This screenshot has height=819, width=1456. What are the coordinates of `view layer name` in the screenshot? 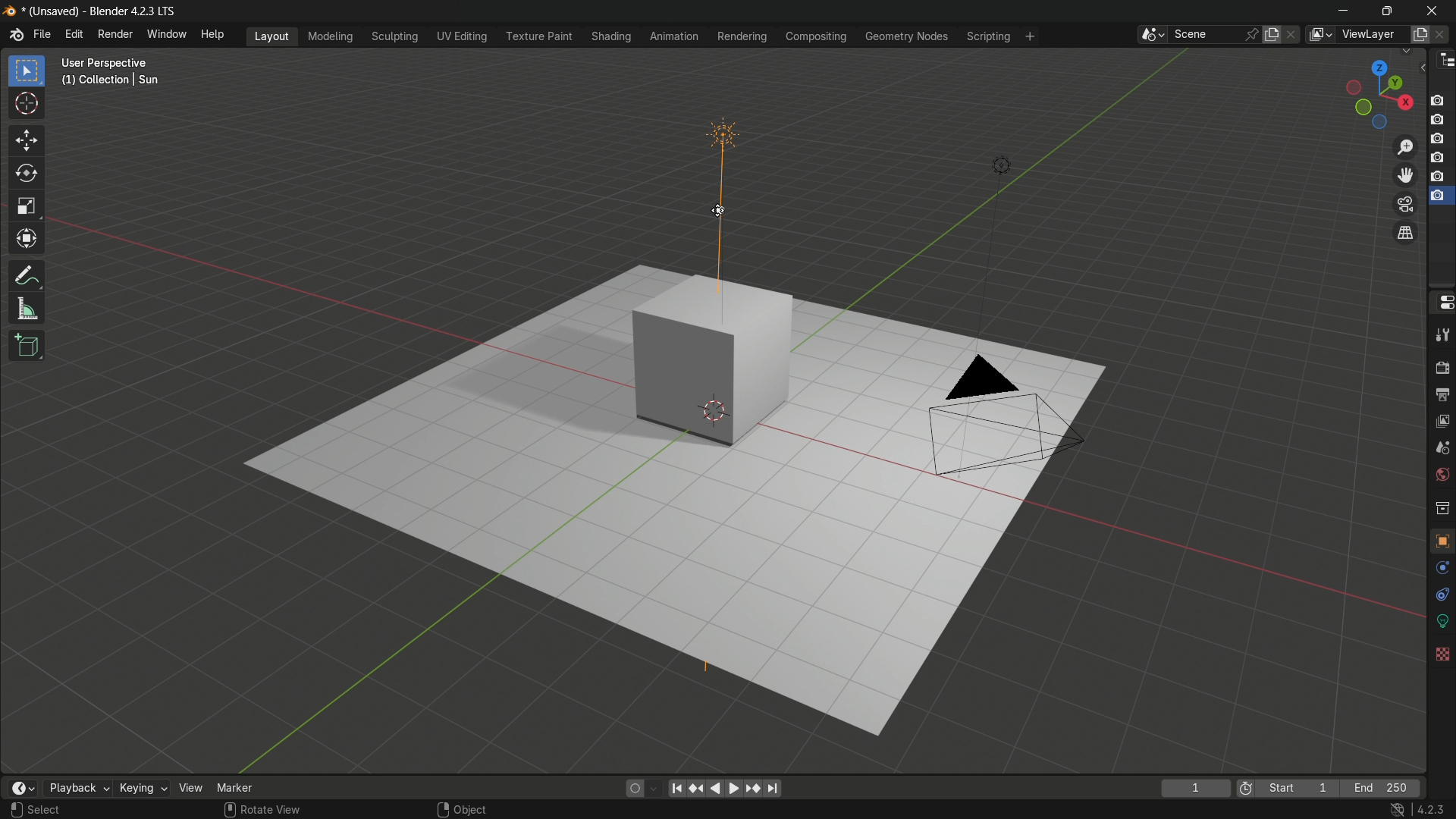 It's located at (1373, 35).